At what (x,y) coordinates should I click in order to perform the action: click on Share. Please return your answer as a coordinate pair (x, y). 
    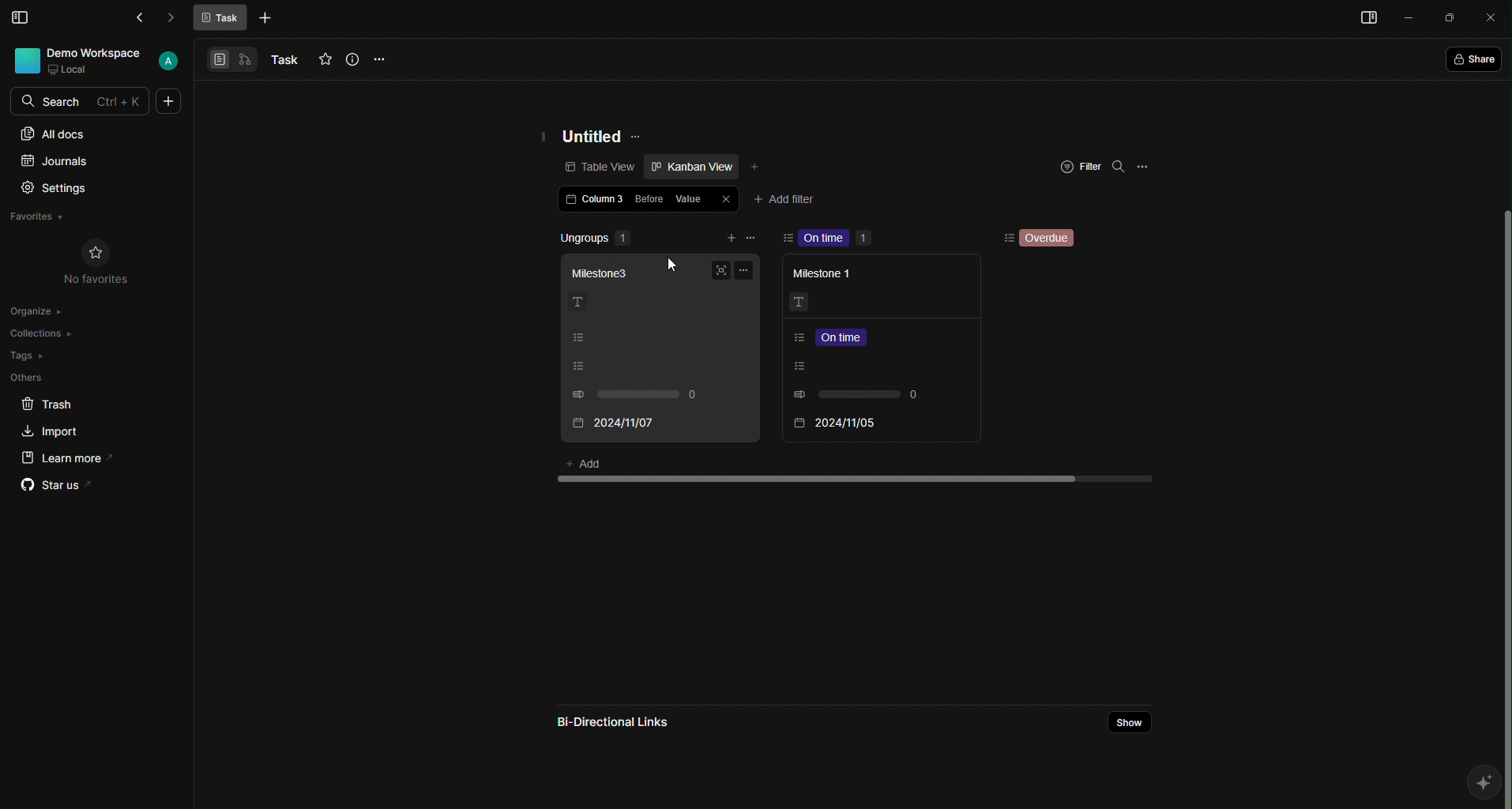
    Looking at the image, I should click on (1475, 59).